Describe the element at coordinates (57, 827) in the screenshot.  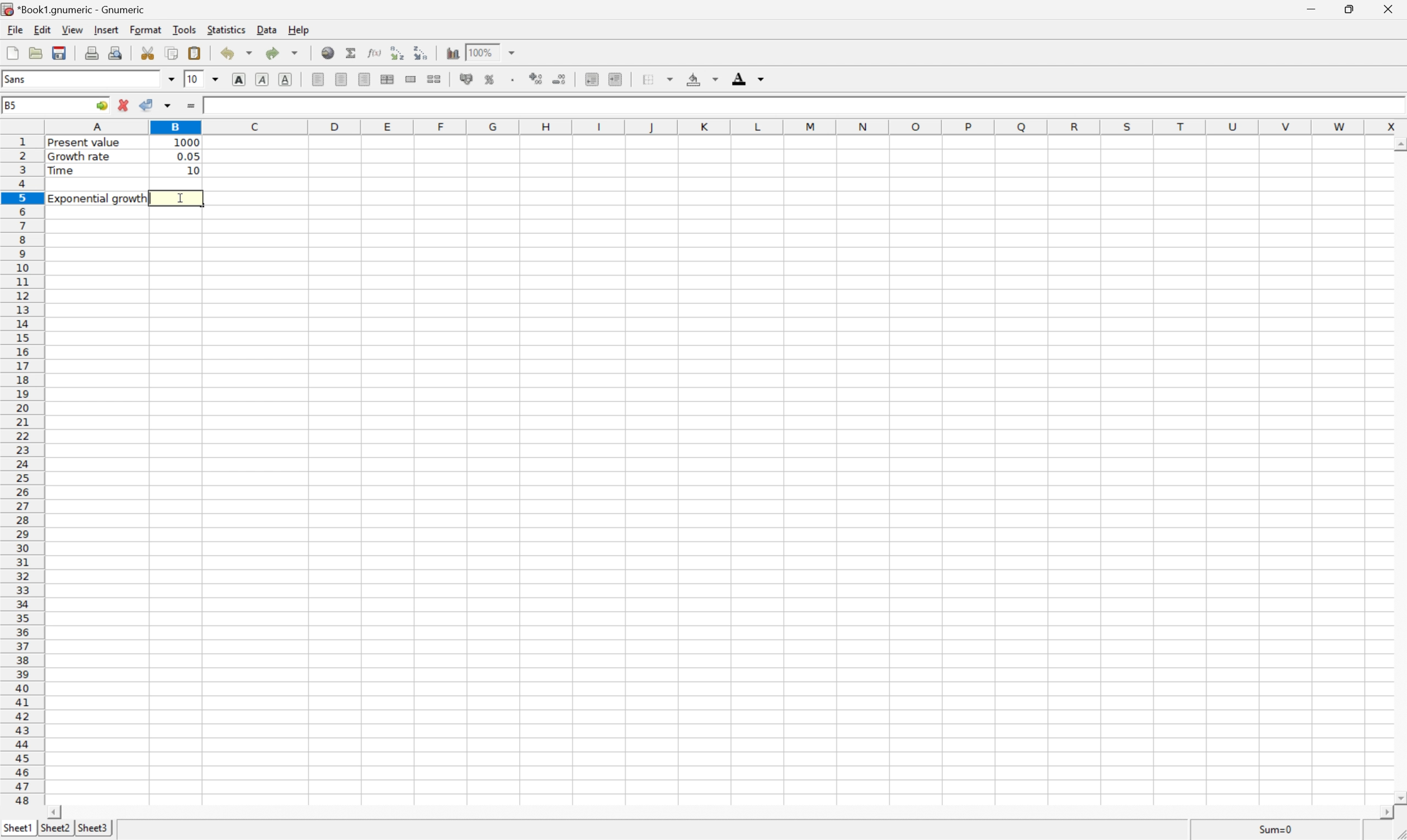
I see `Sheet2` at that location.